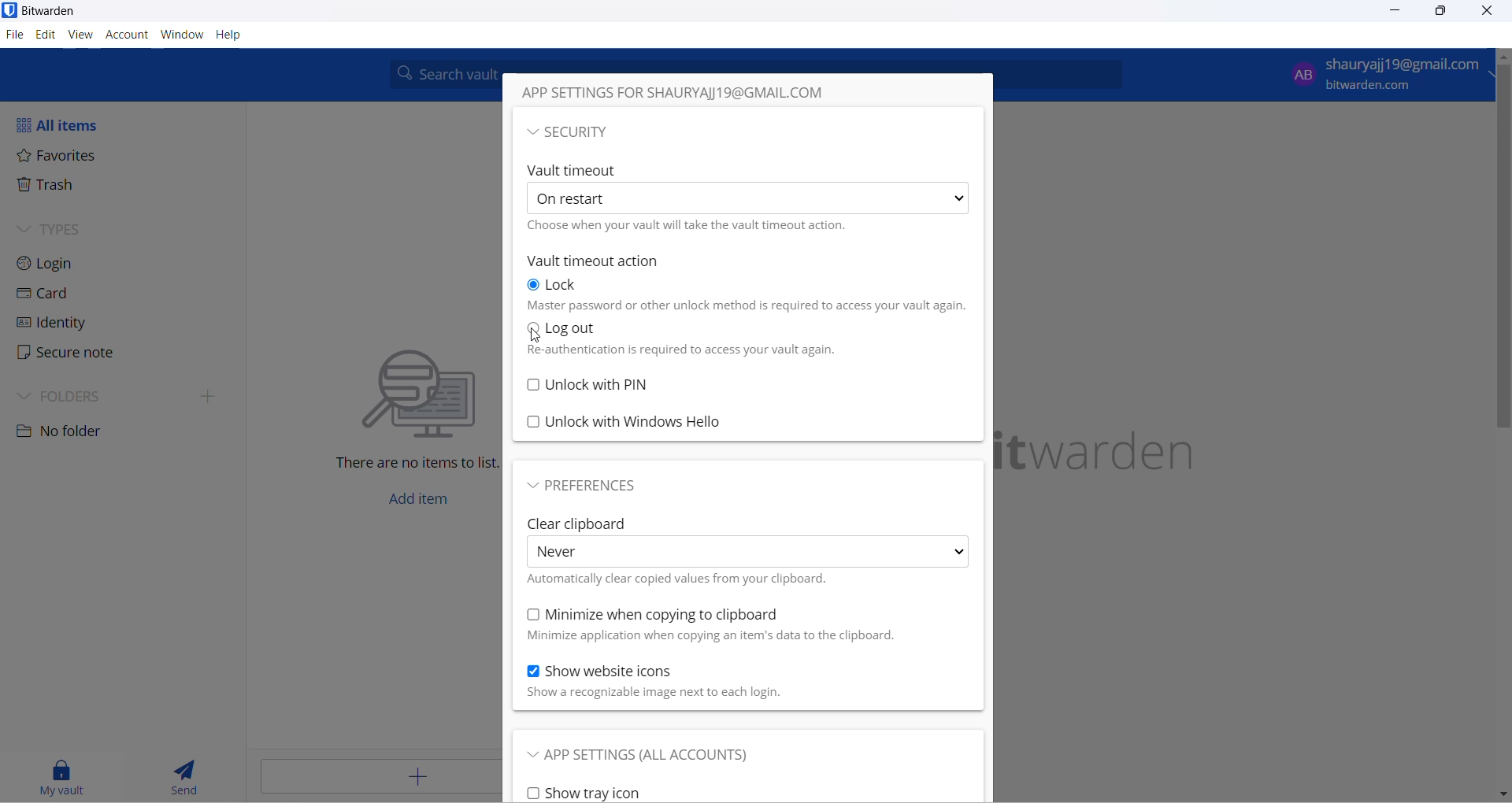 The height and width of the screenshot is (803, 1512). What do you see at coordinates (51, 11) in the screenshot?
I see `application name and logo` at bounding box center [51, 11].